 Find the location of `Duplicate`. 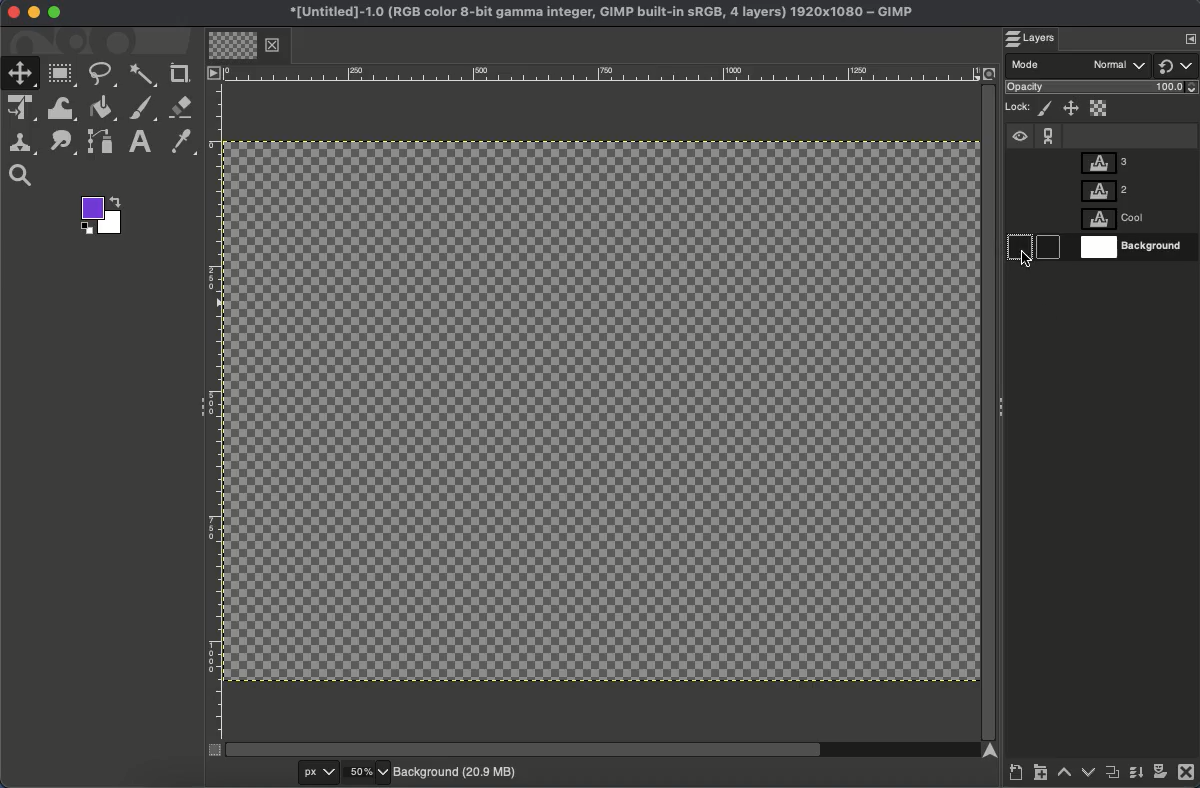

Duplicate is located at coordinates (1113, 776).